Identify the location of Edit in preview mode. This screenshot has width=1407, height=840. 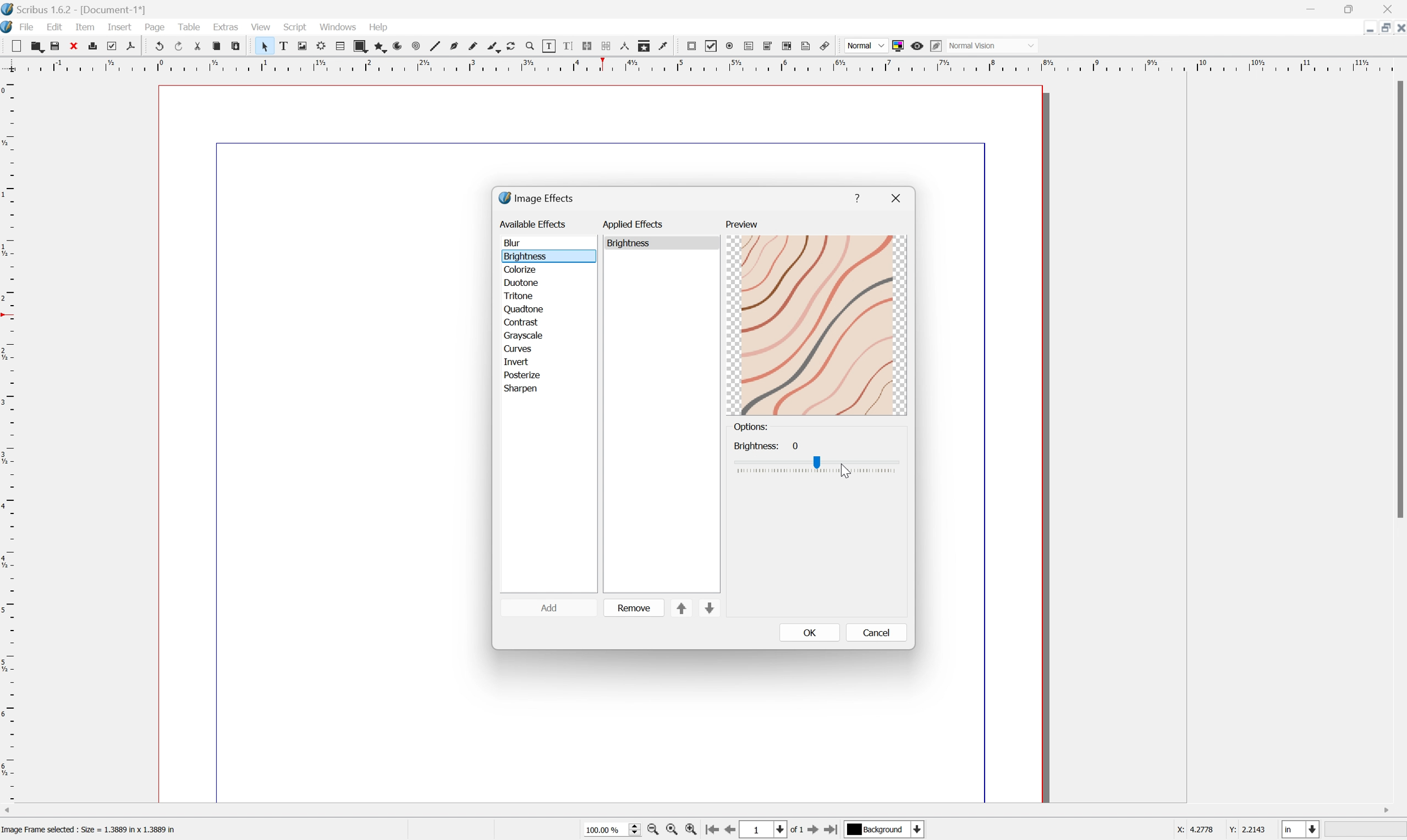
(936, 46).